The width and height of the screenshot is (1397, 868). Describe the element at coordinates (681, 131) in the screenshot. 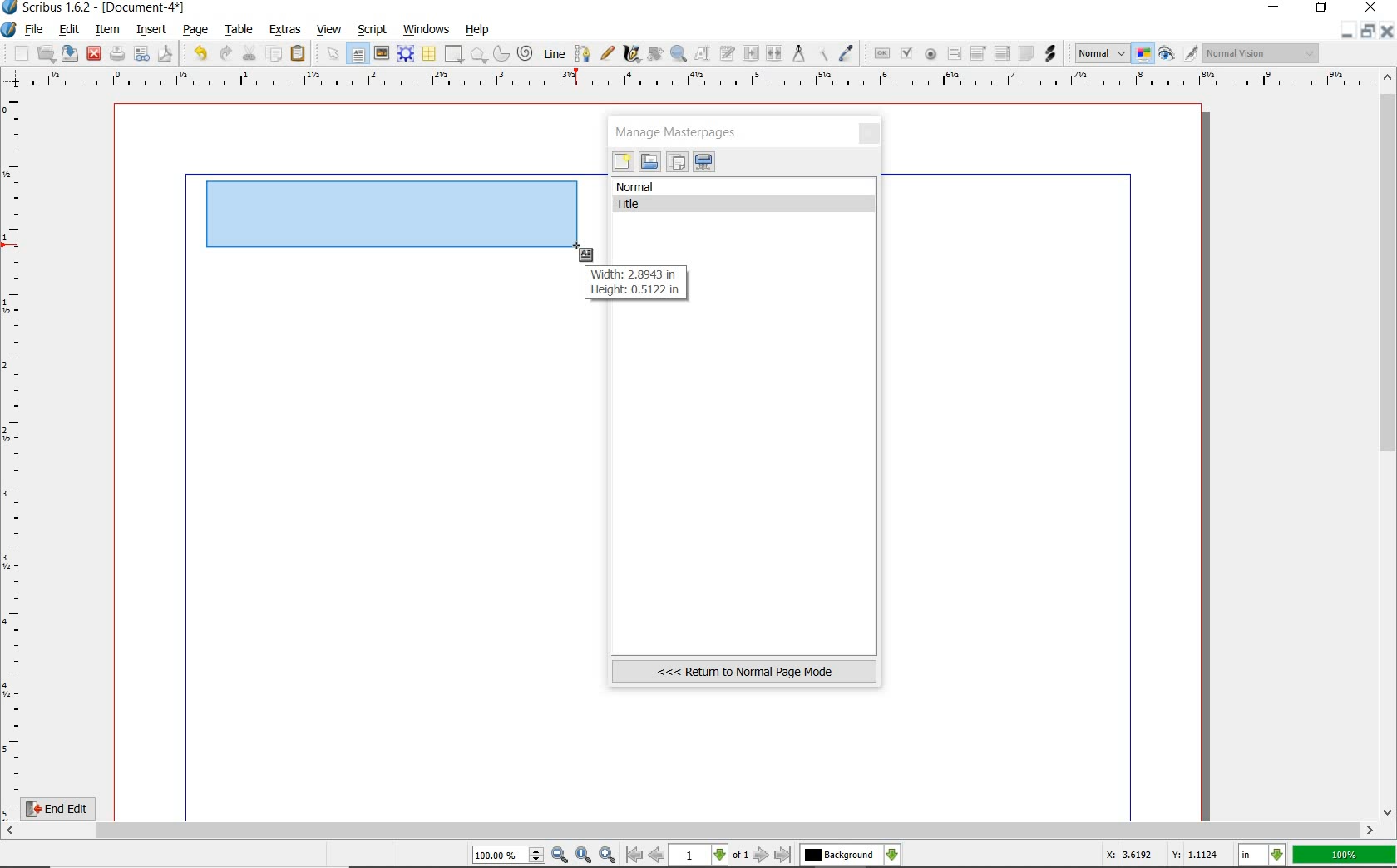

I see `manage masterpages` at that location.